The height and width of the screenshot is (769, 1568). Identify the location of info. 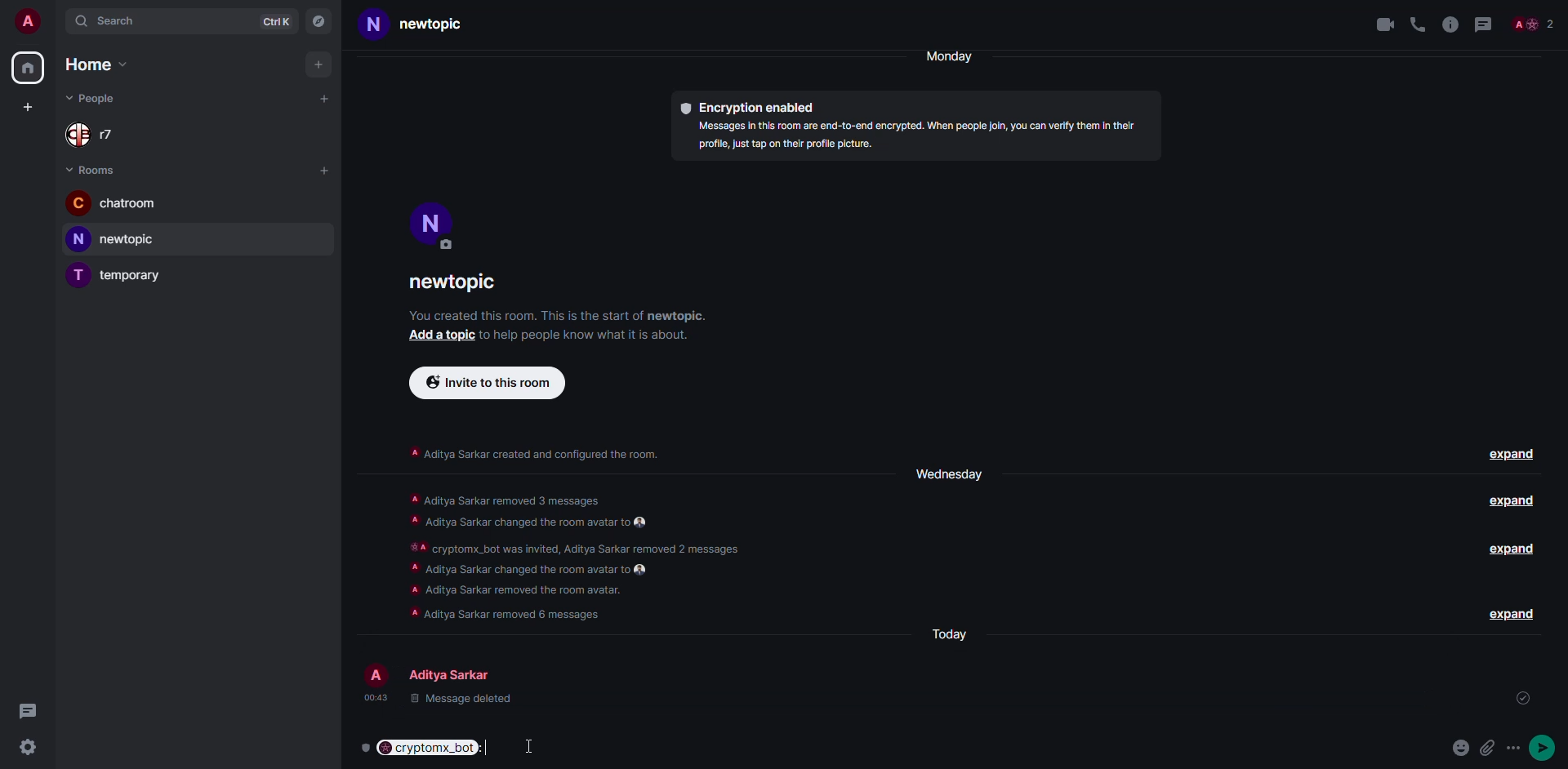
(534, 451).